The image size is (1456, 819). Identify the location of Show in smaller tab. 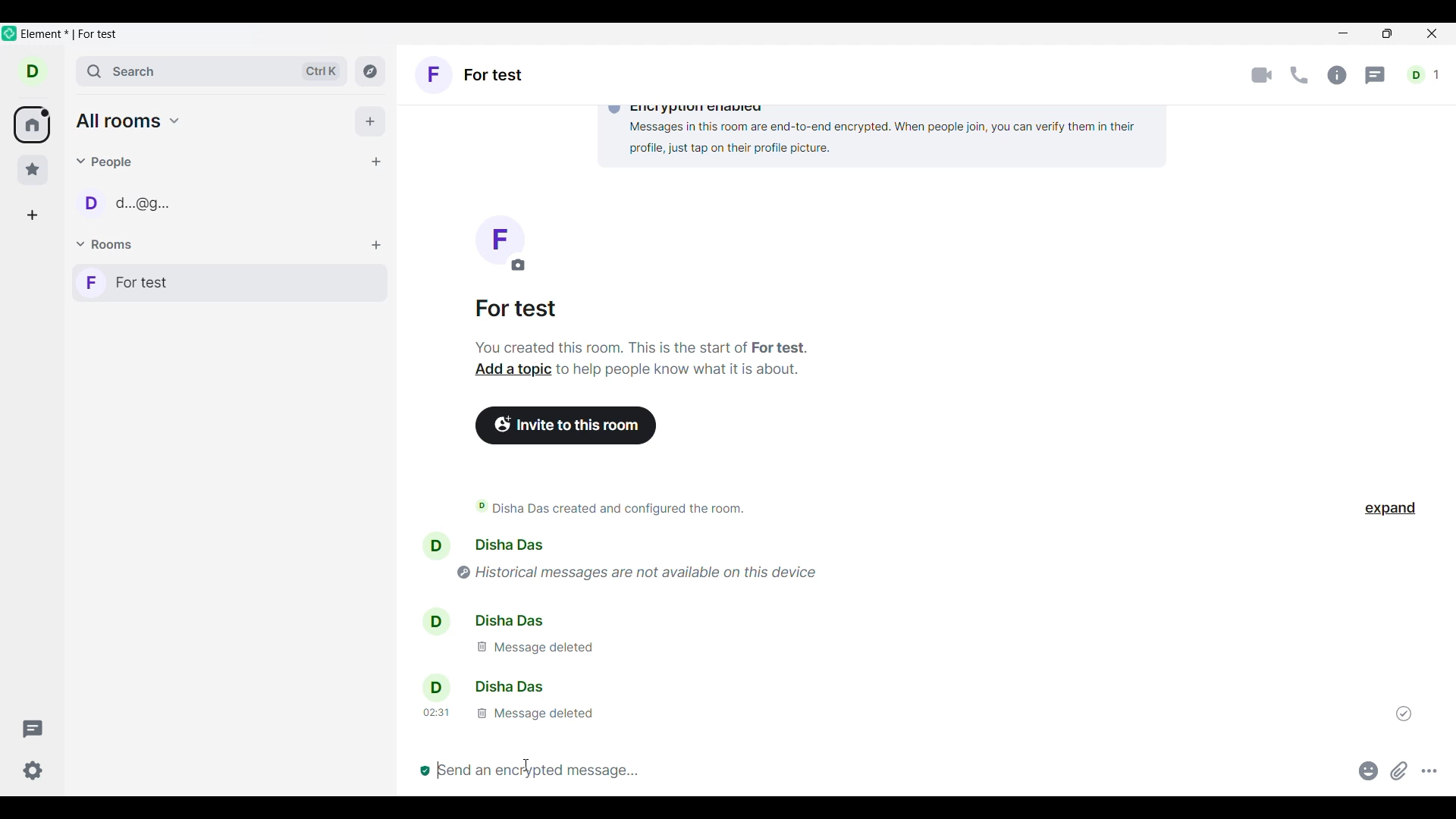
(1387, 33).